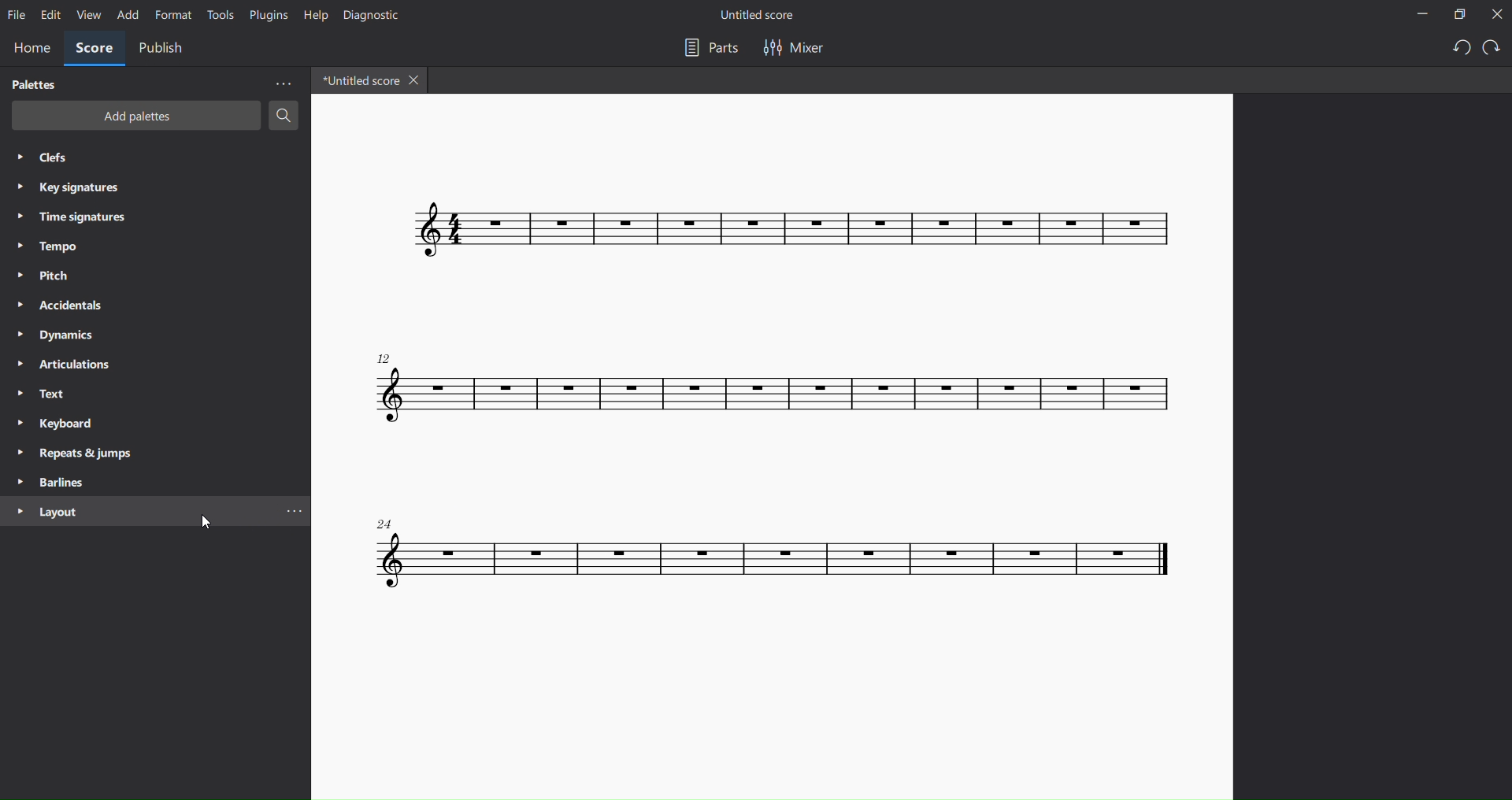 This screenshot has width=1512, height=800. Describe the element at coordinates (50, 159) in the screenshot. I see `clefs` at that location.